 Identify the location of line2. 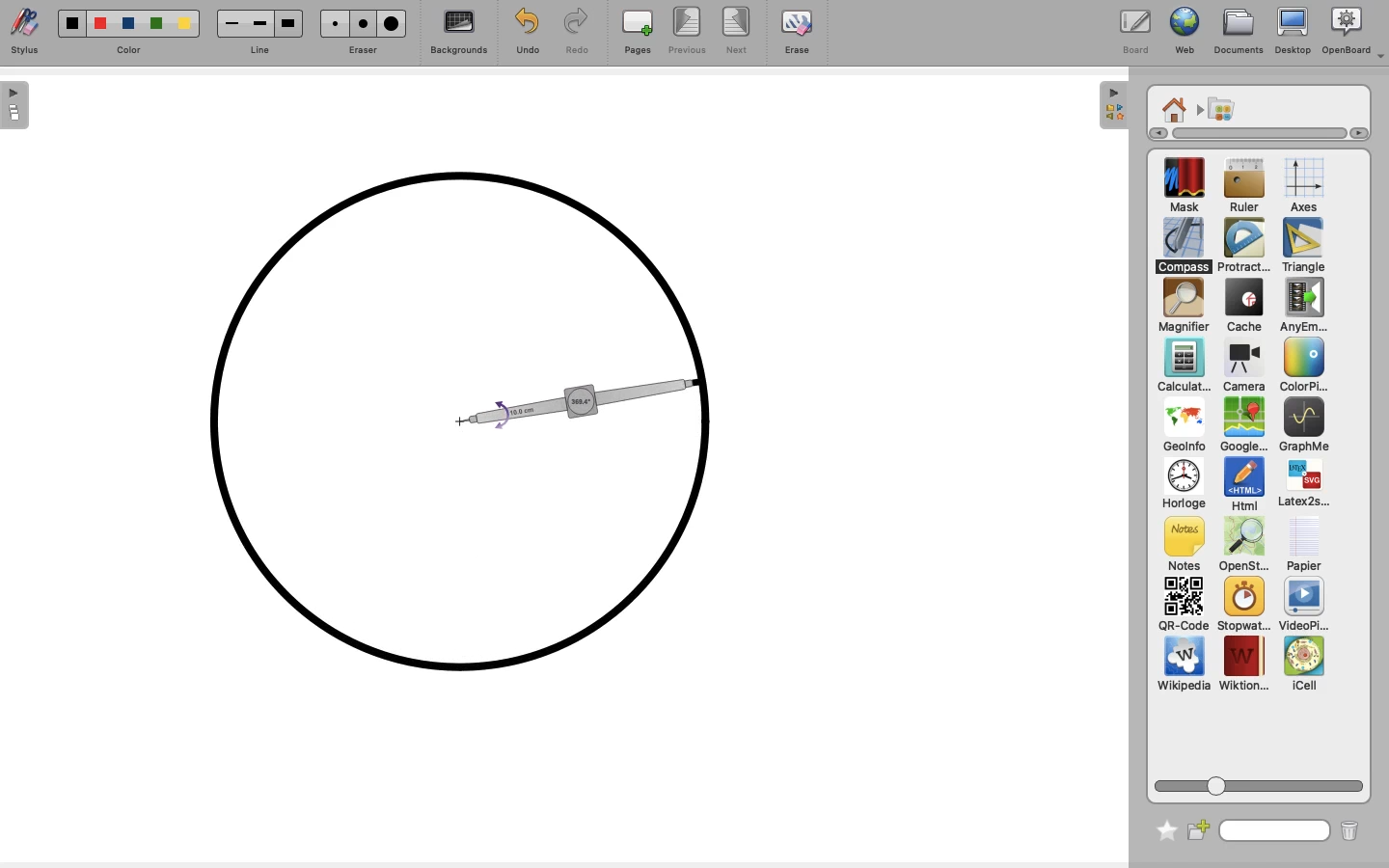
(259, 23).